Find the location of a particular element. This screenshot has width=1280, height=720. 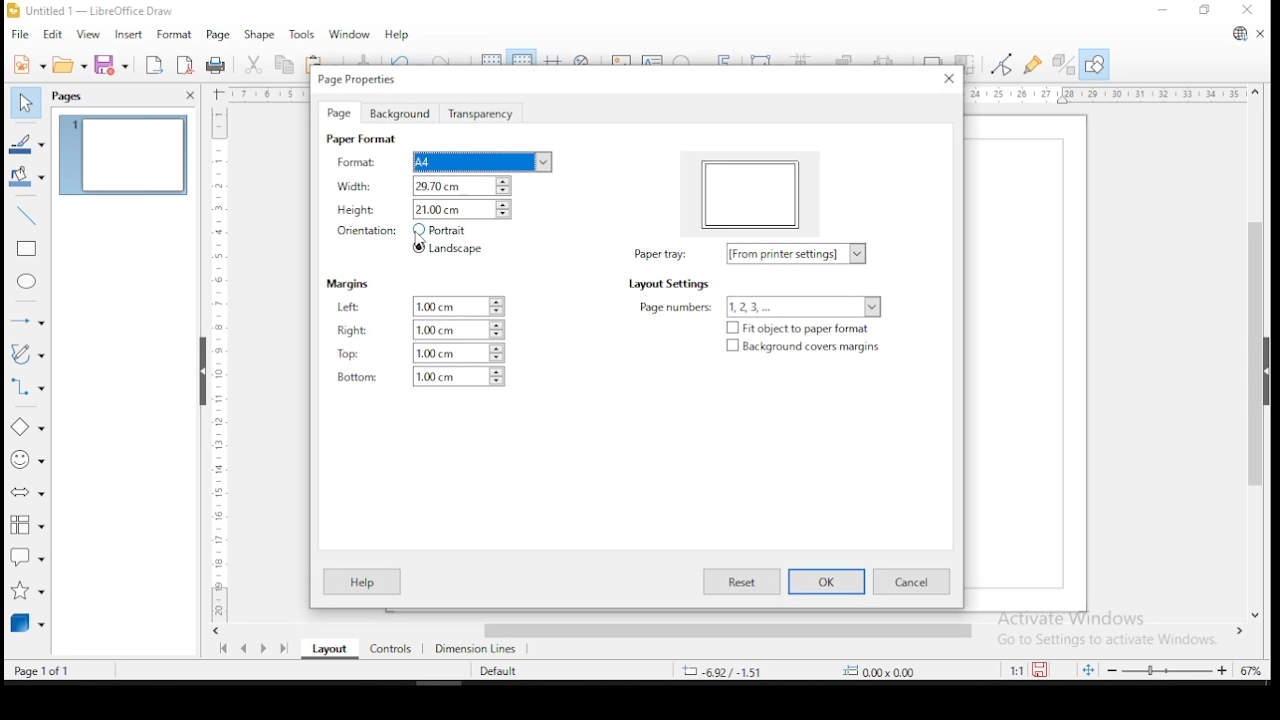

save is located at coordinates (1045, 669).